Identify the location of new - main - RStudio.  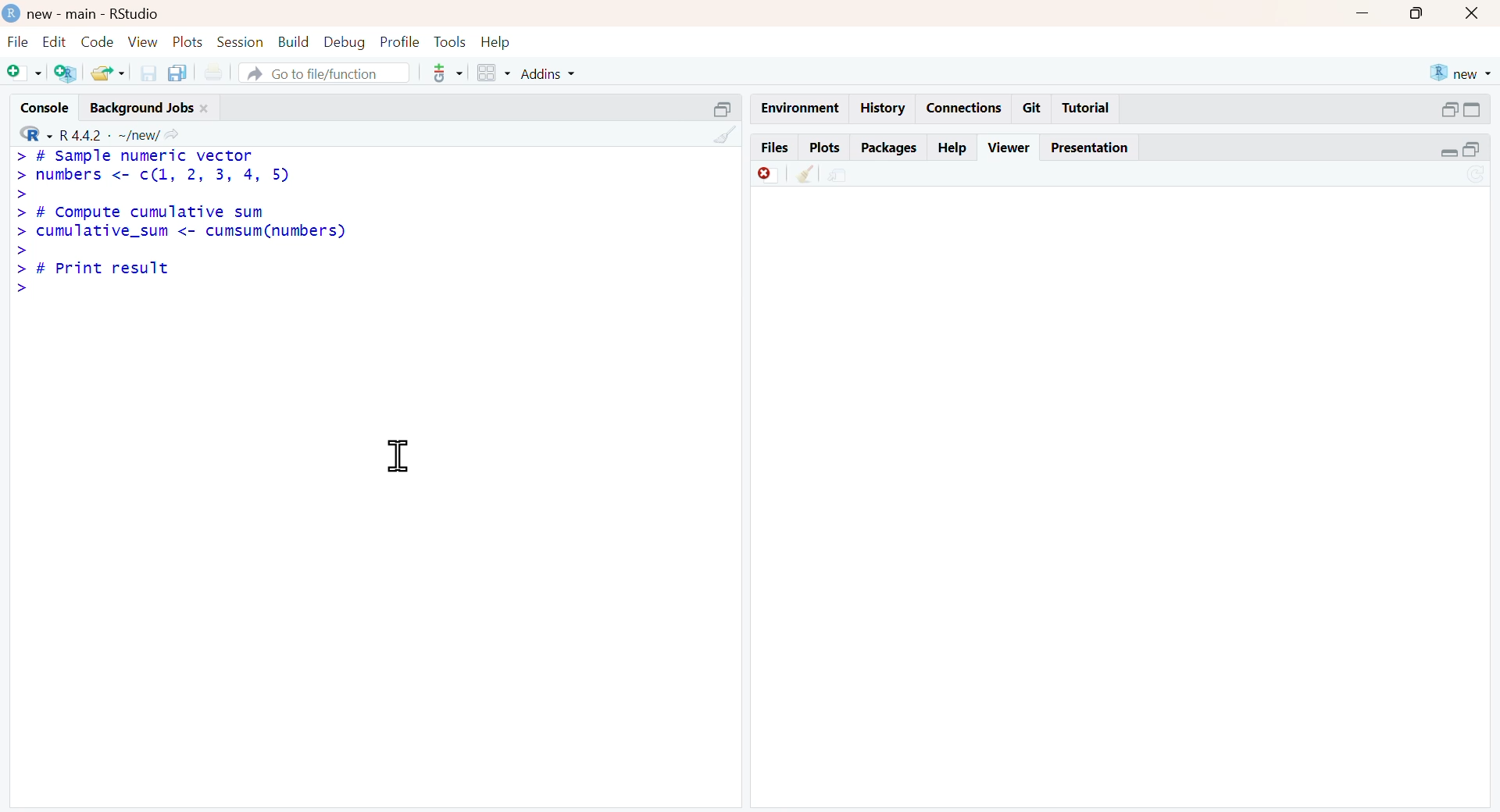
(95, 15).